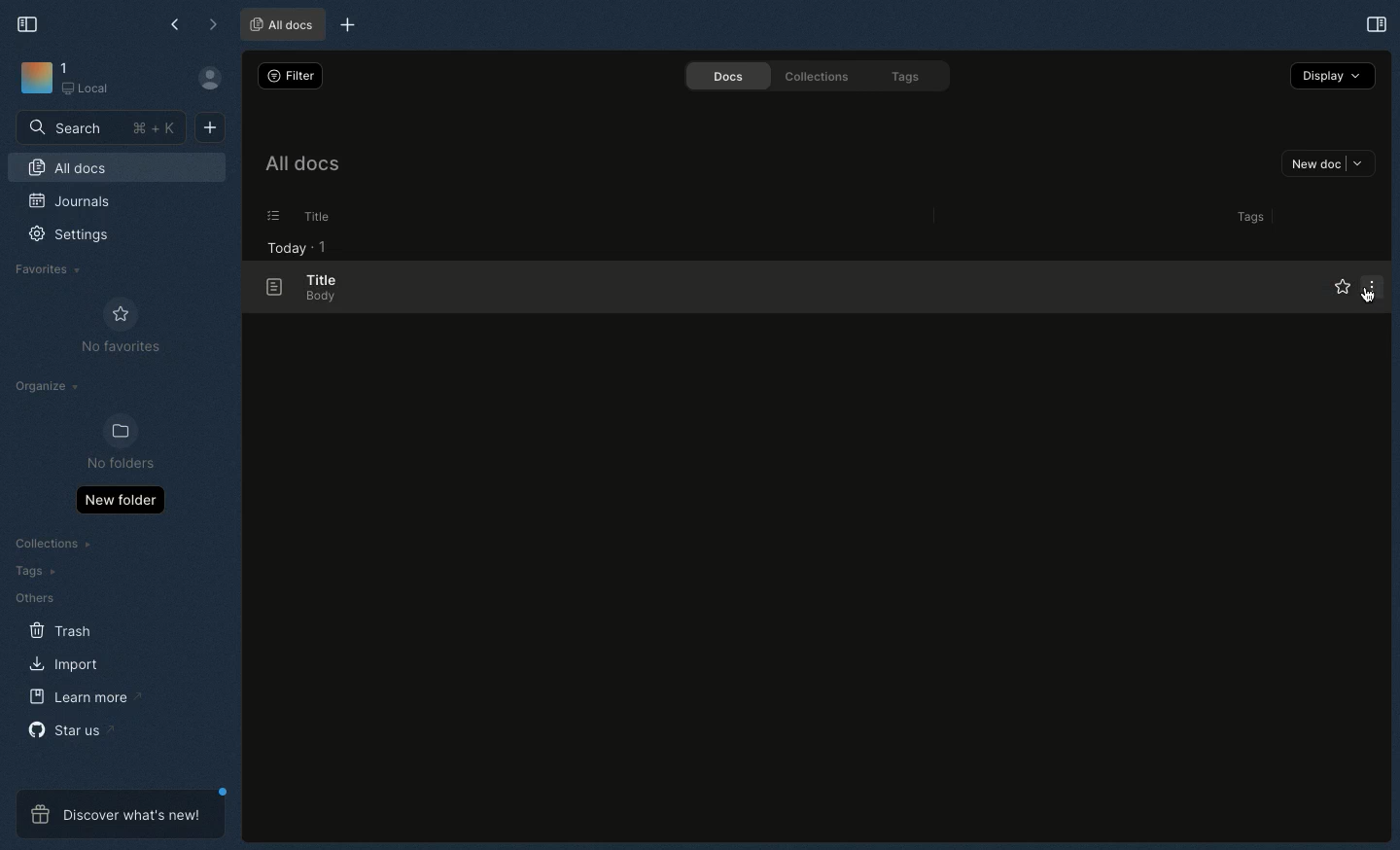 This screenshot has width=1400, height=850. Describe the element at coordinates (288, 75) in the screenshot. I see `Filter` at that location.